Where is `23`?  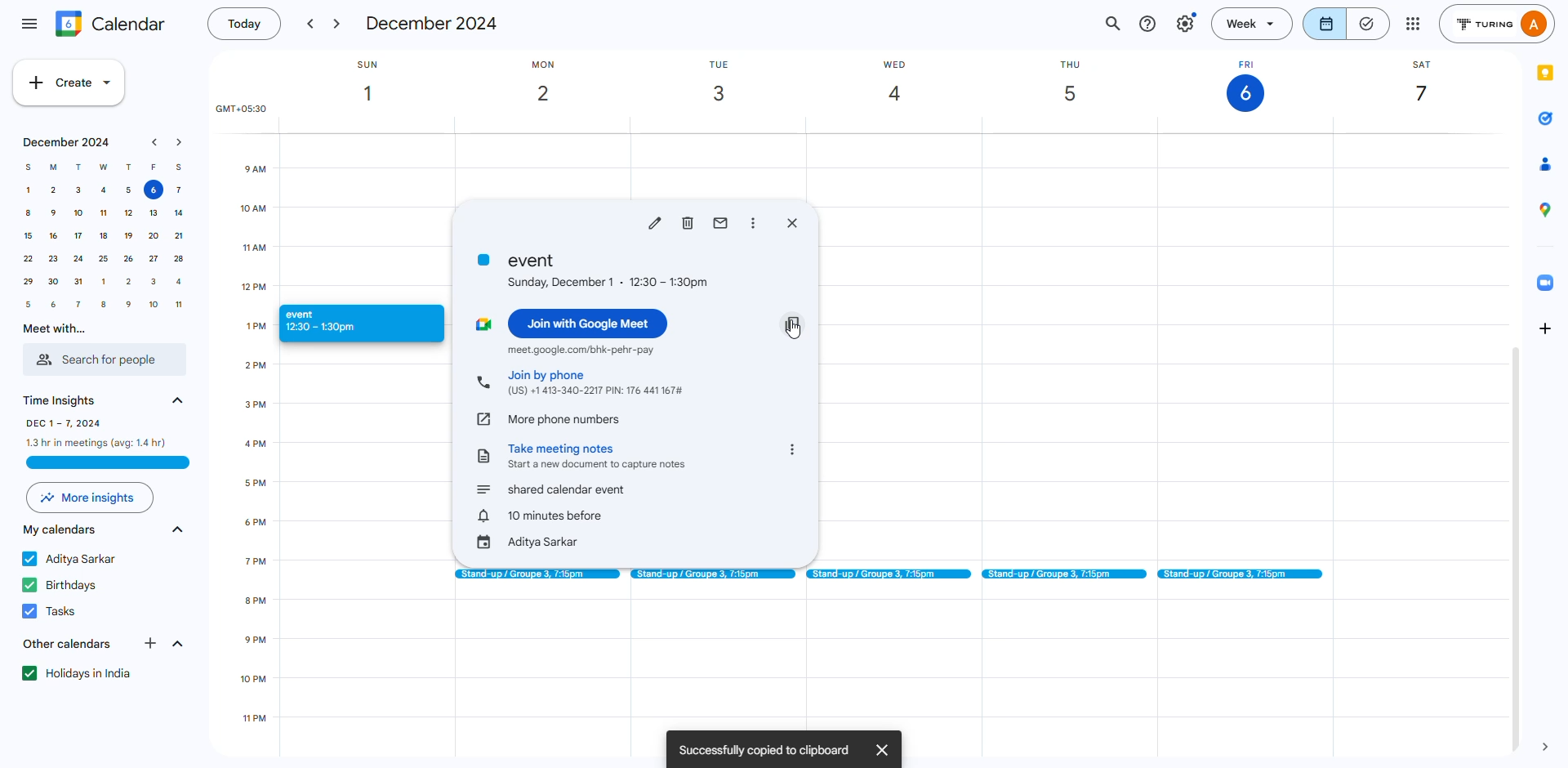
23 is located at coordinates (55, 260).